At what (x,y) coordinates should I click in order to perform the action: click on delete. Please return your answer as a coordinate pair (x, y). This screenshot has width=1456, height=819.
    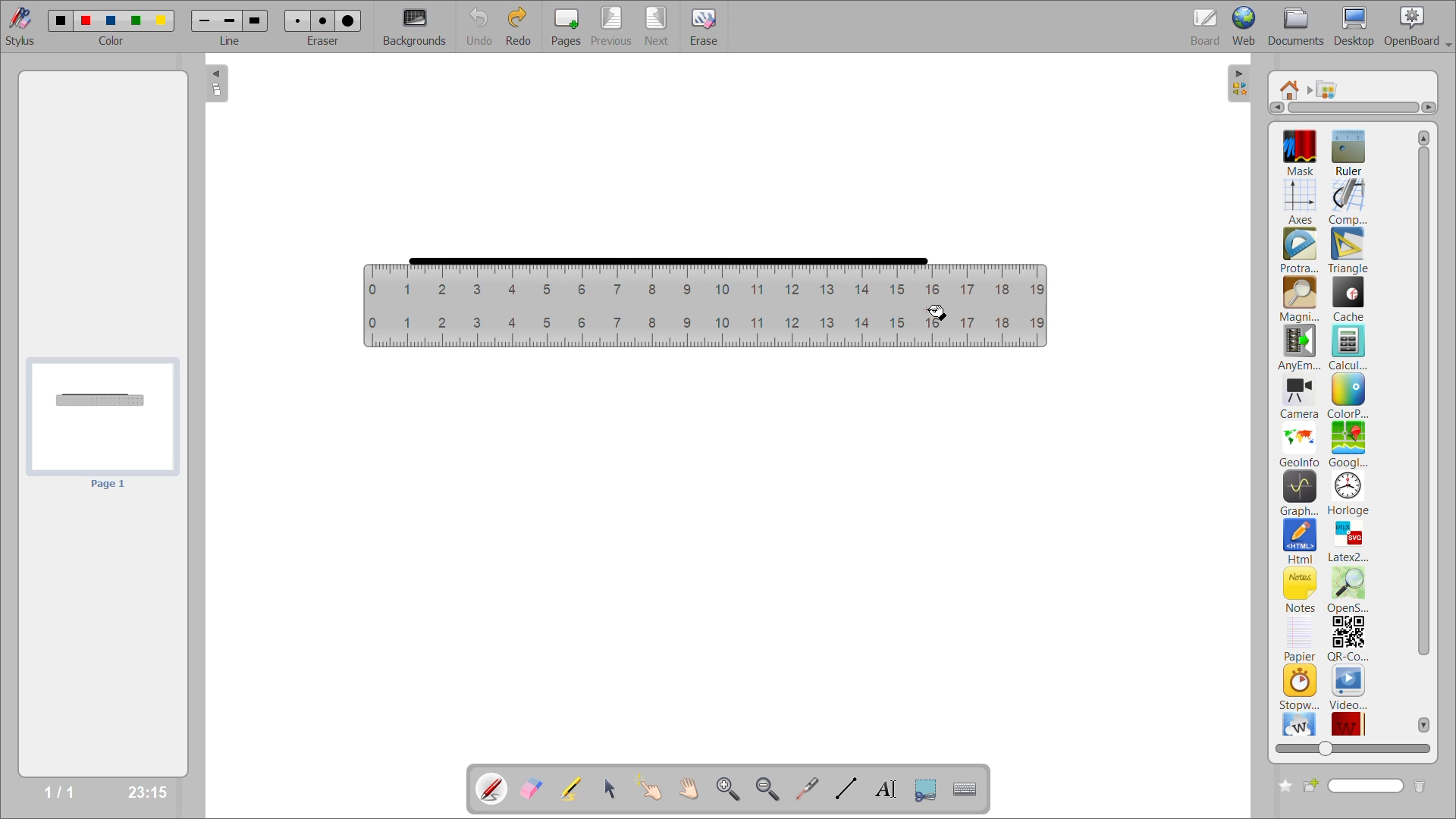
    Looking at the image, I should click on (1420, 786).